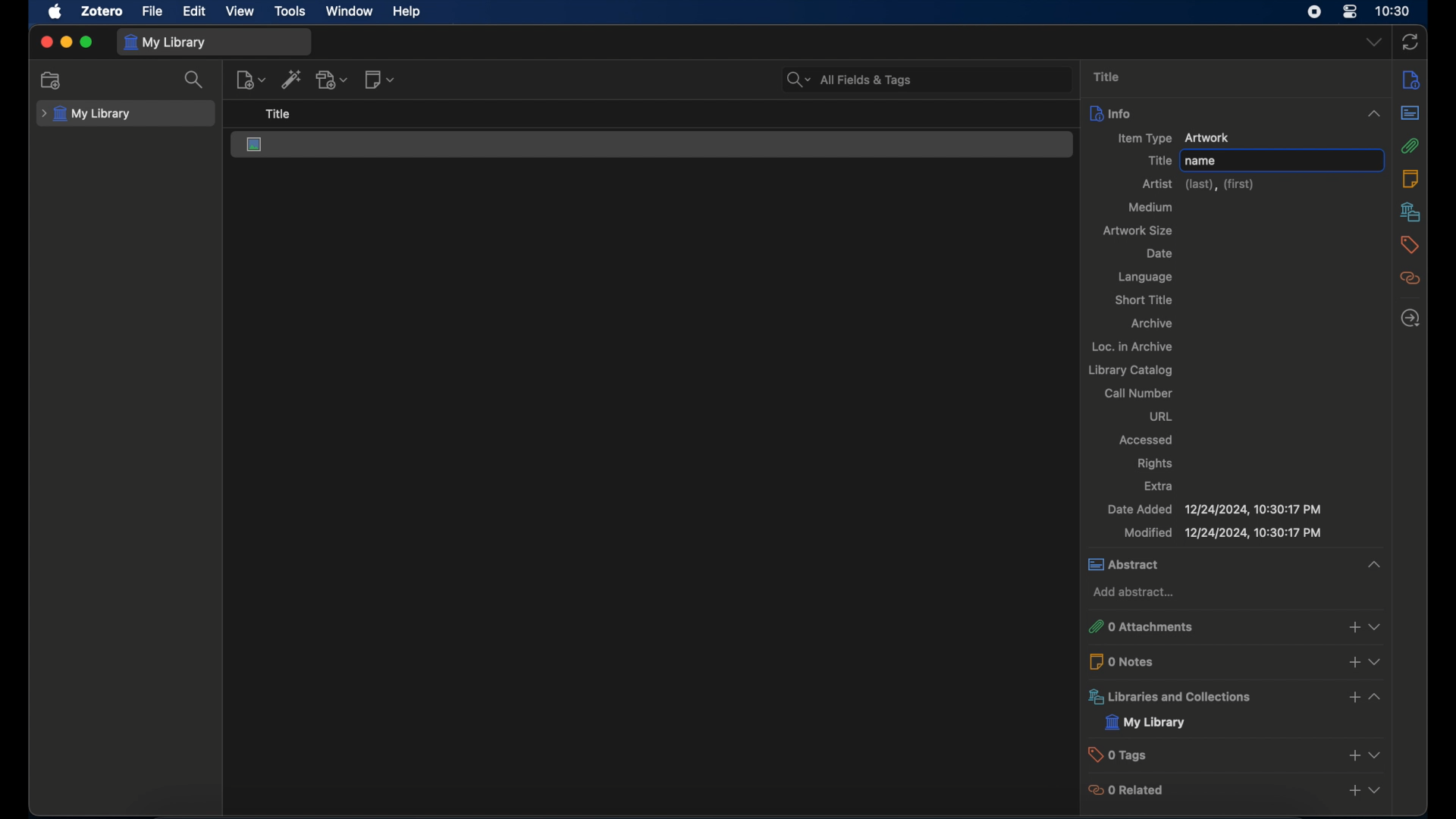 Image resolution: width=1456 pixels, height=819 pixels. Describe the element at coordinates (290, 11) in the screenshot. I see `tools` at that location.